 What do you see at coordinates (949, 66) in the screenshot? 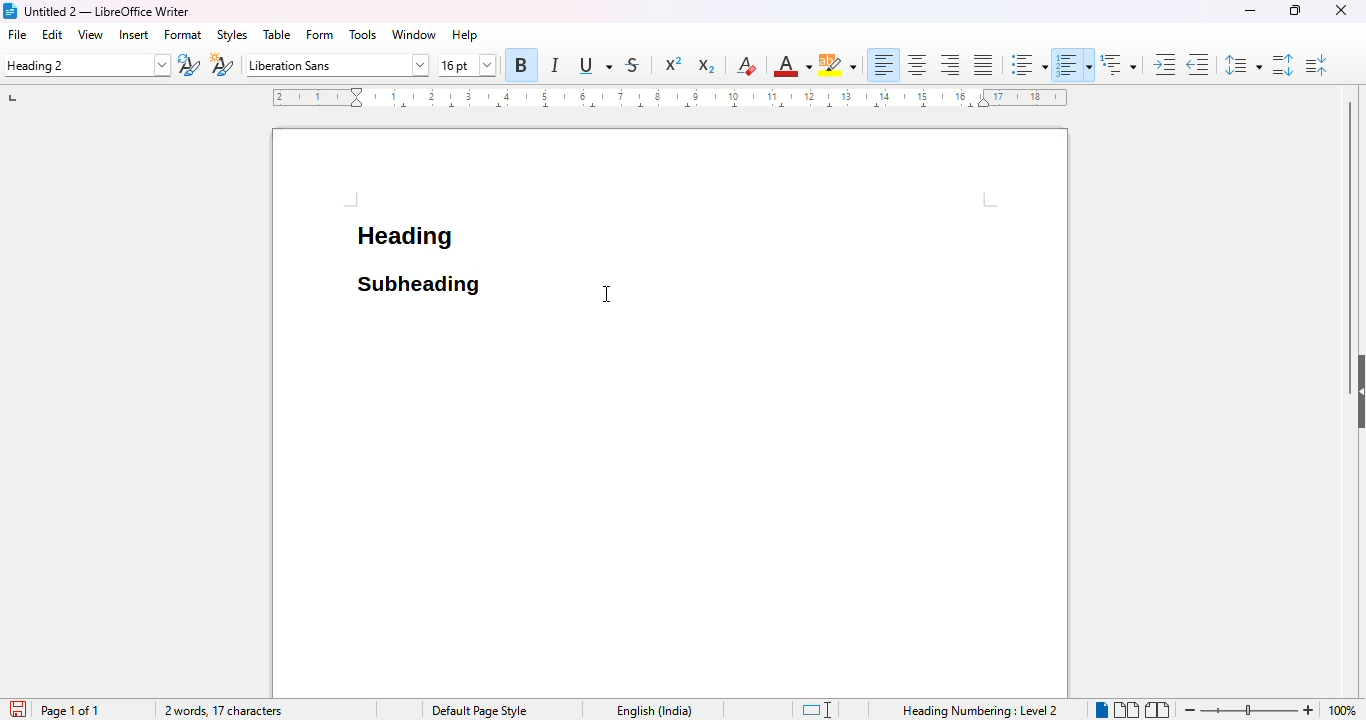
I see `align right` at bounding box center [949, 66].